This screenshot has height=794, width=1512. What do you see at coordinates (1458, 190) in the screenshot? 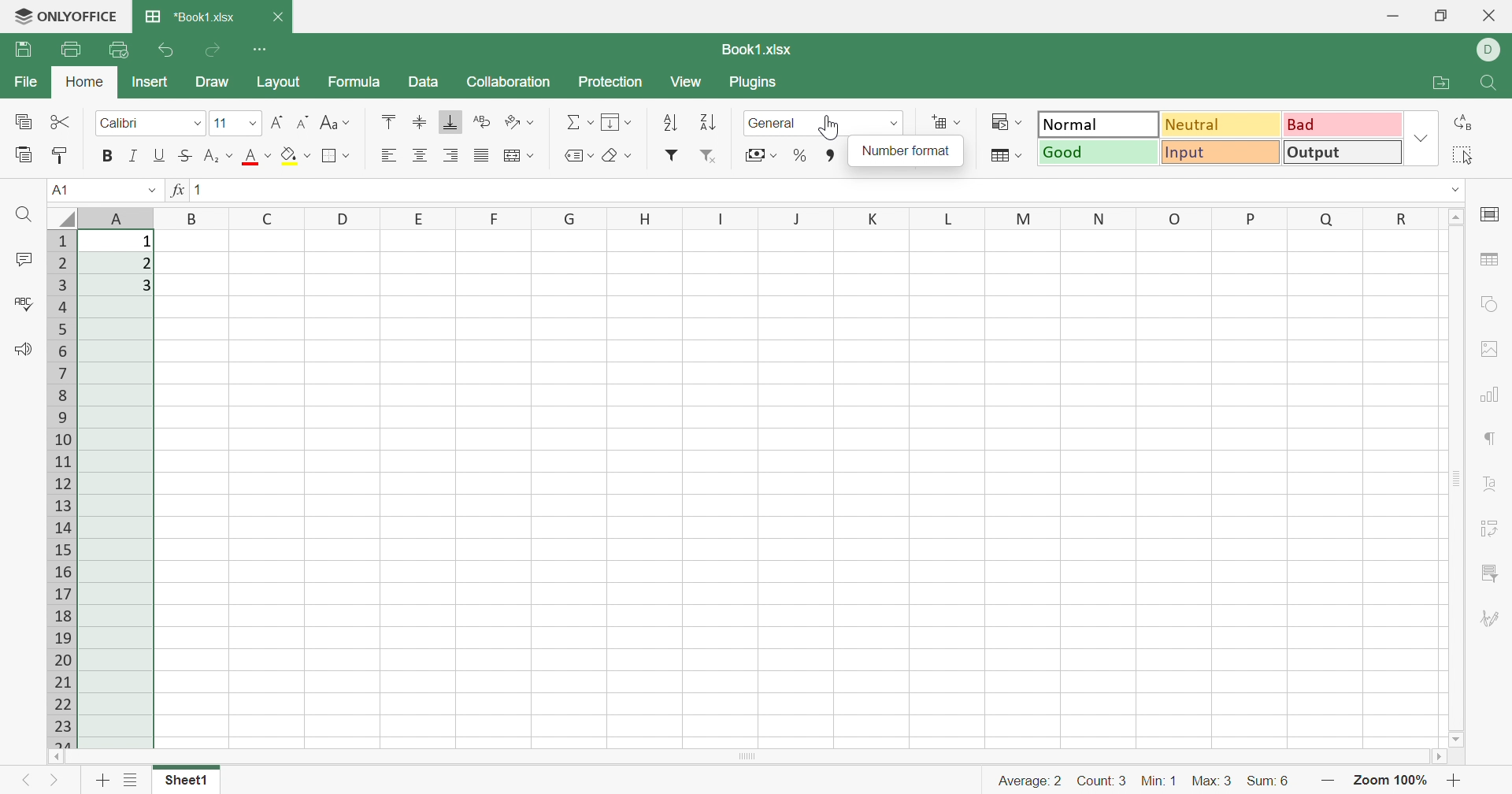
I see `Drop down` at bounding box center [1458, 190].